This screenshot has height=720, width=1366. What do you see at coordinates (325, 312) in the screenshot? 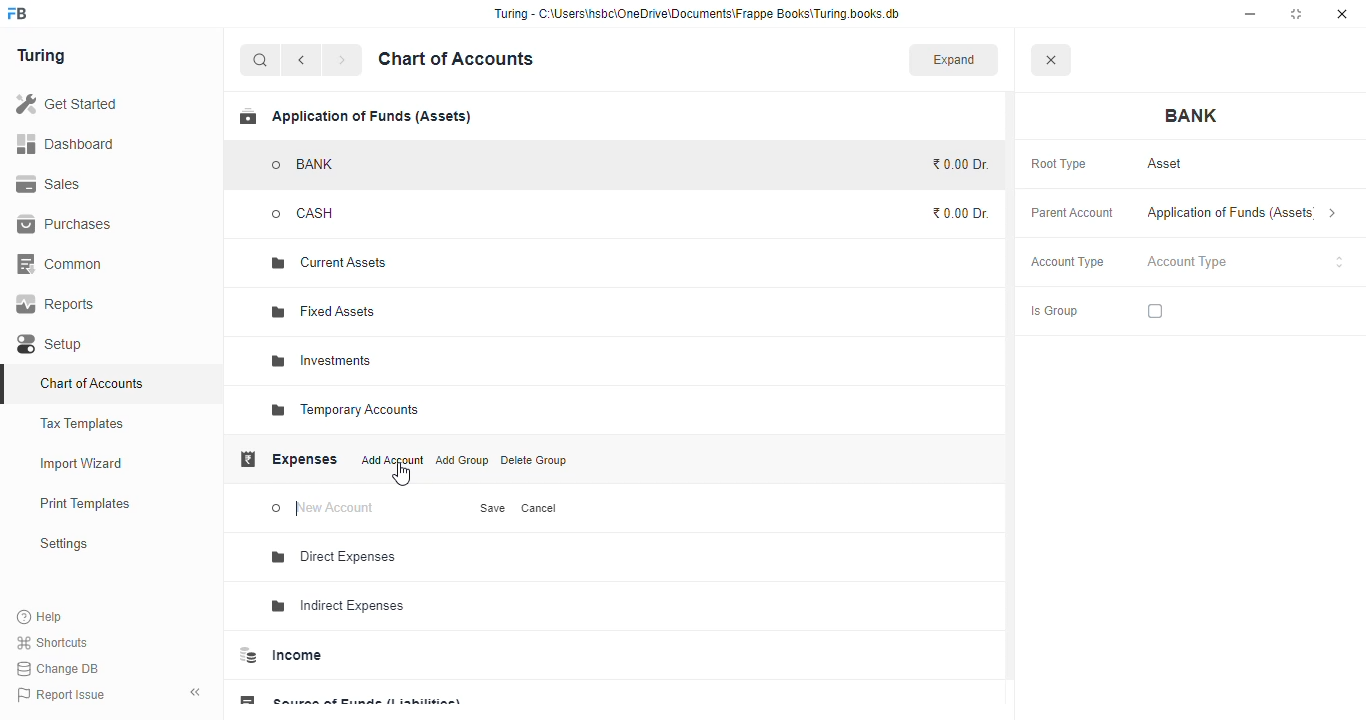
I see `fixed assets` at bounding box center [325, 312].